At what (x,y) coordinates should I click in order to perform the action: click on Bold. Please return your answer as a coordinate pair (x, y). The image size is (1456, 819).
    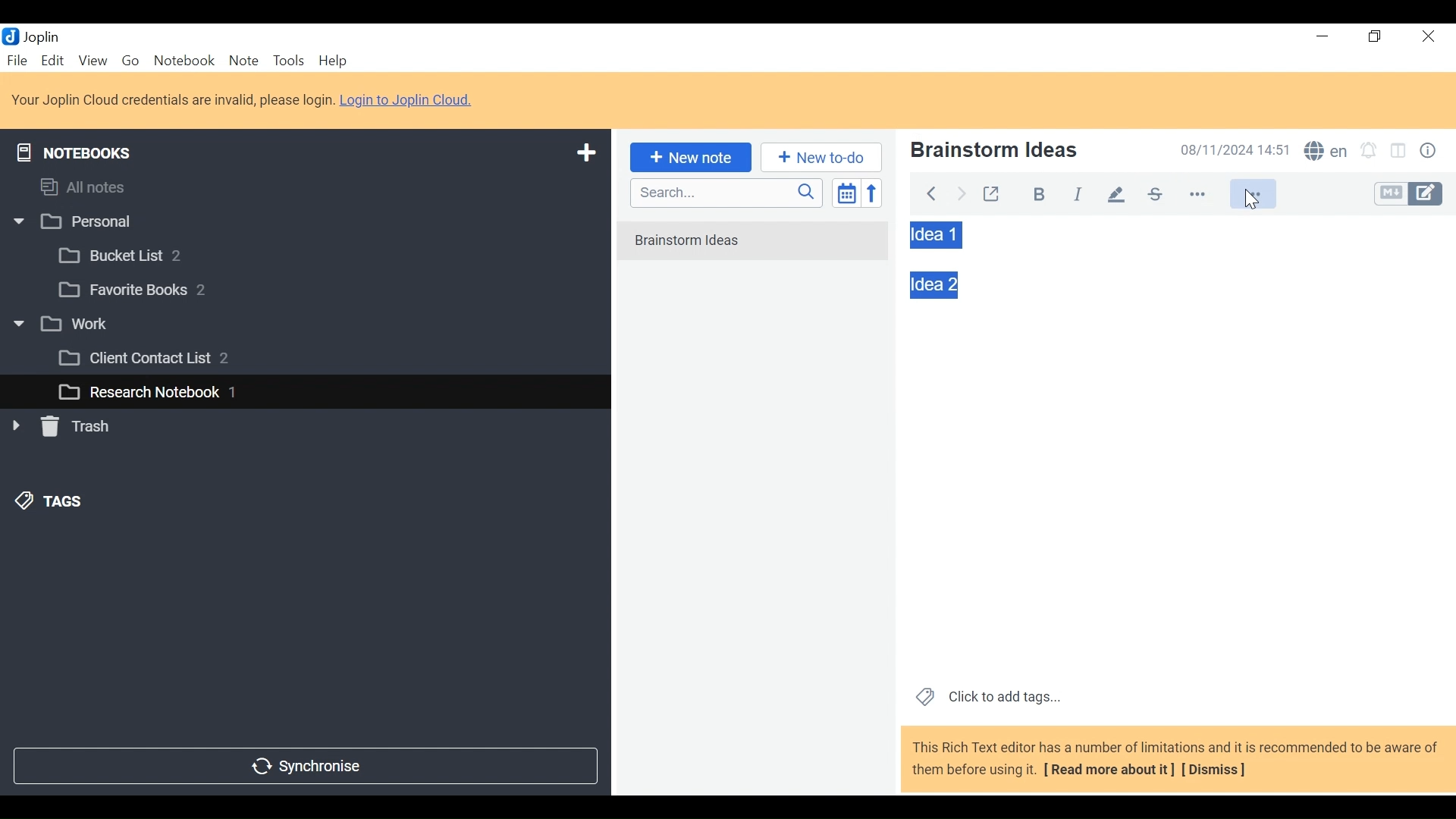
    Looking at the image, I should click on (1032, 192).